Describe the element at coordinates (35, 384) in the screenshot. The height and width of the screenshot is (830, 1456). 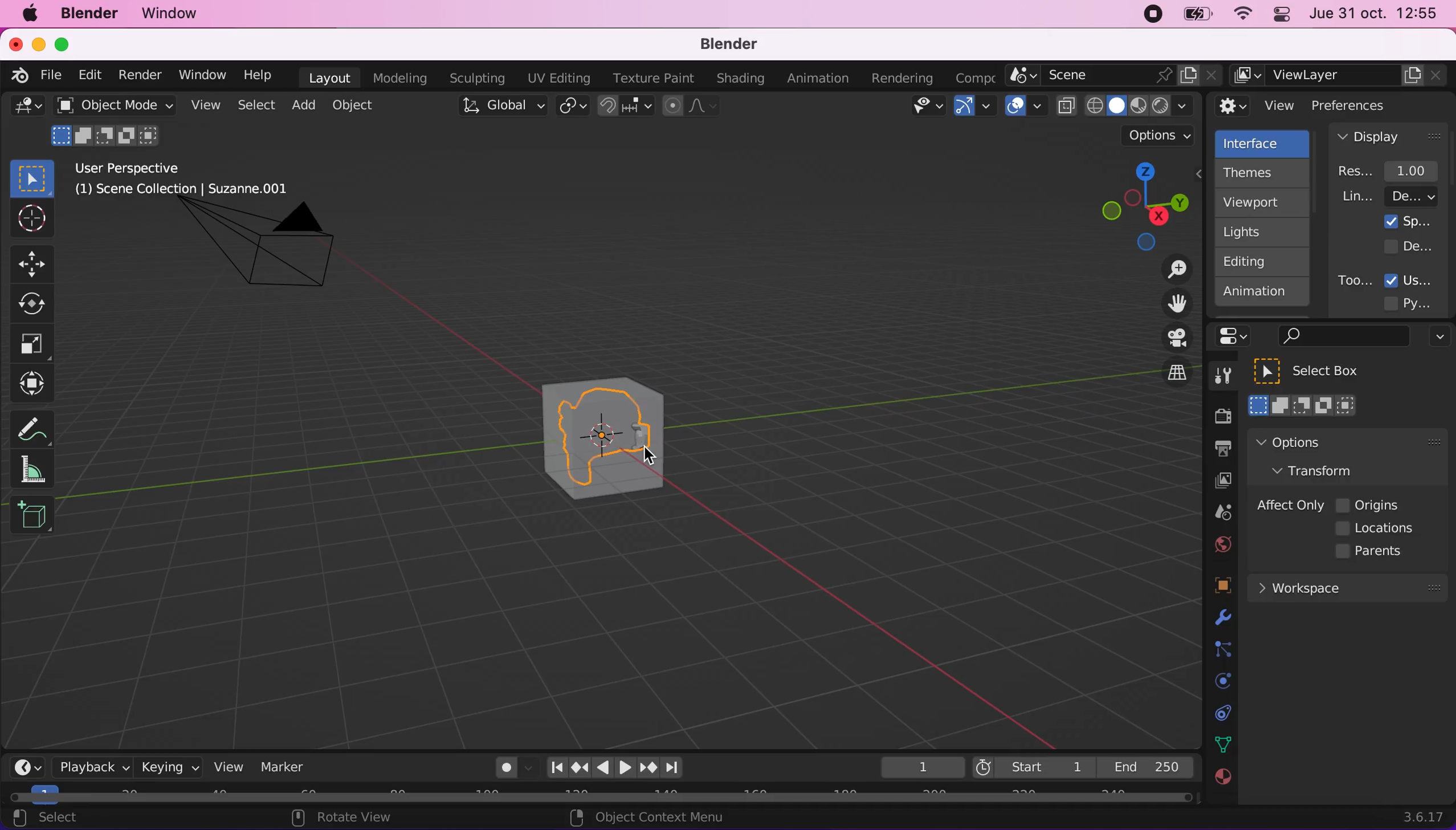
I see `transform` at that location.